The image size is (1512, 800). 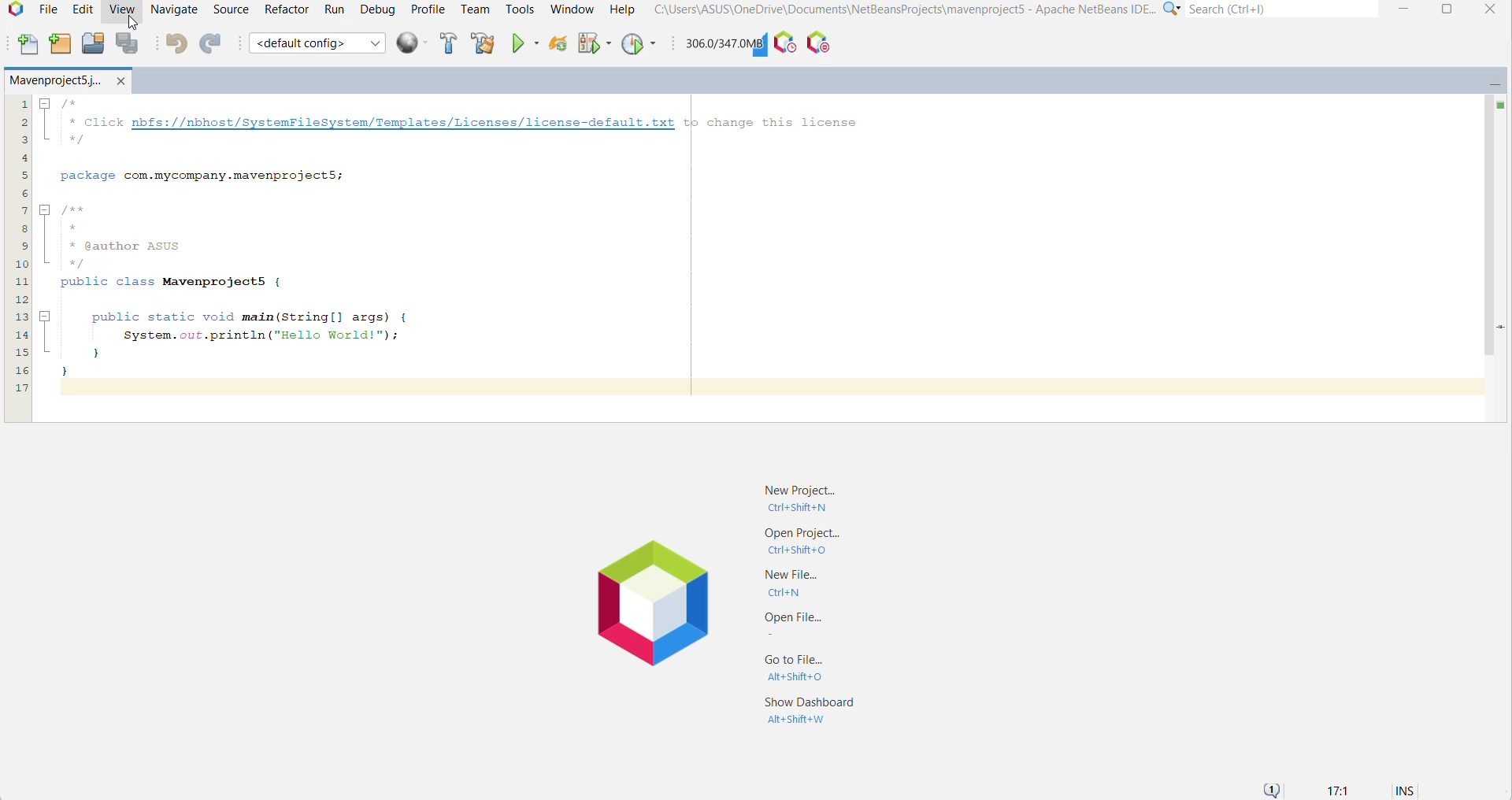 I want to click on cursor, so click(x=134, y=24).